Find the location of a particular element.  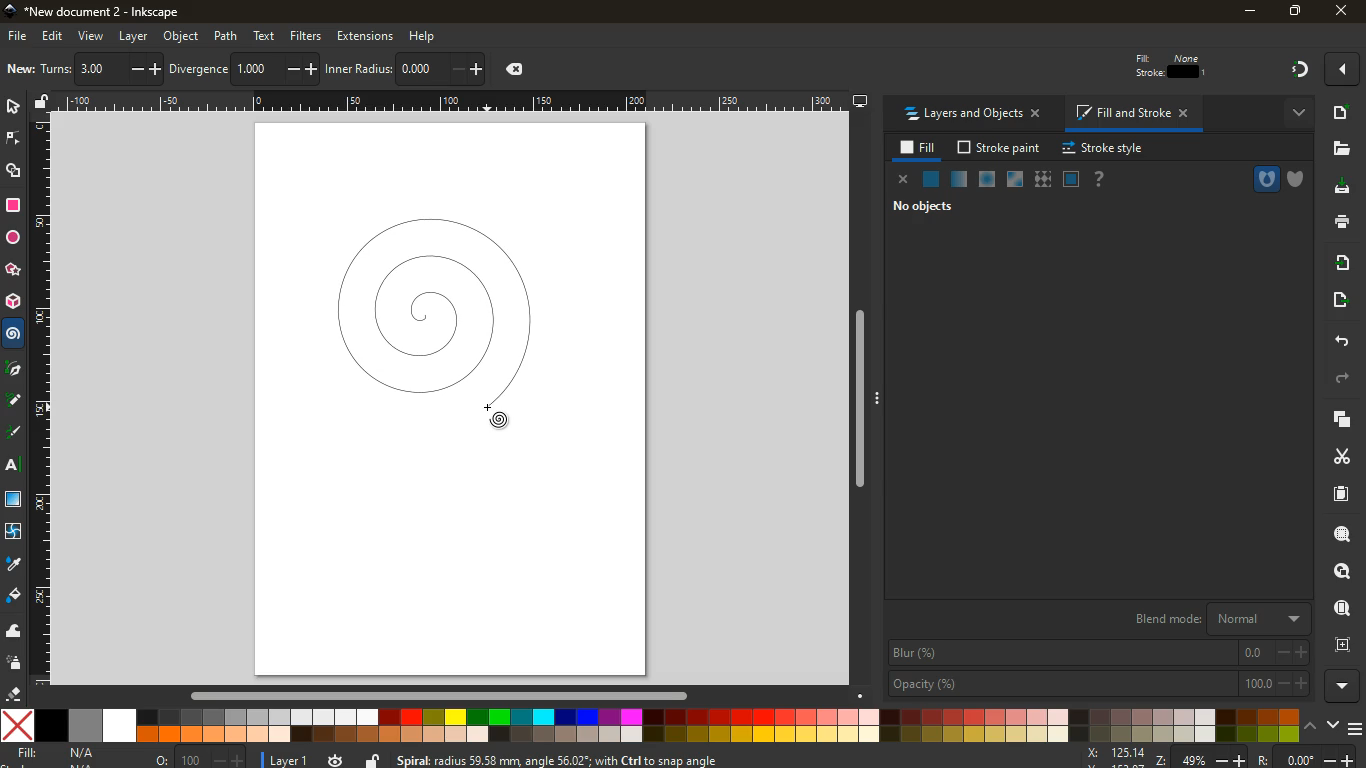

blend mode is located at coordinates (1211, 620).